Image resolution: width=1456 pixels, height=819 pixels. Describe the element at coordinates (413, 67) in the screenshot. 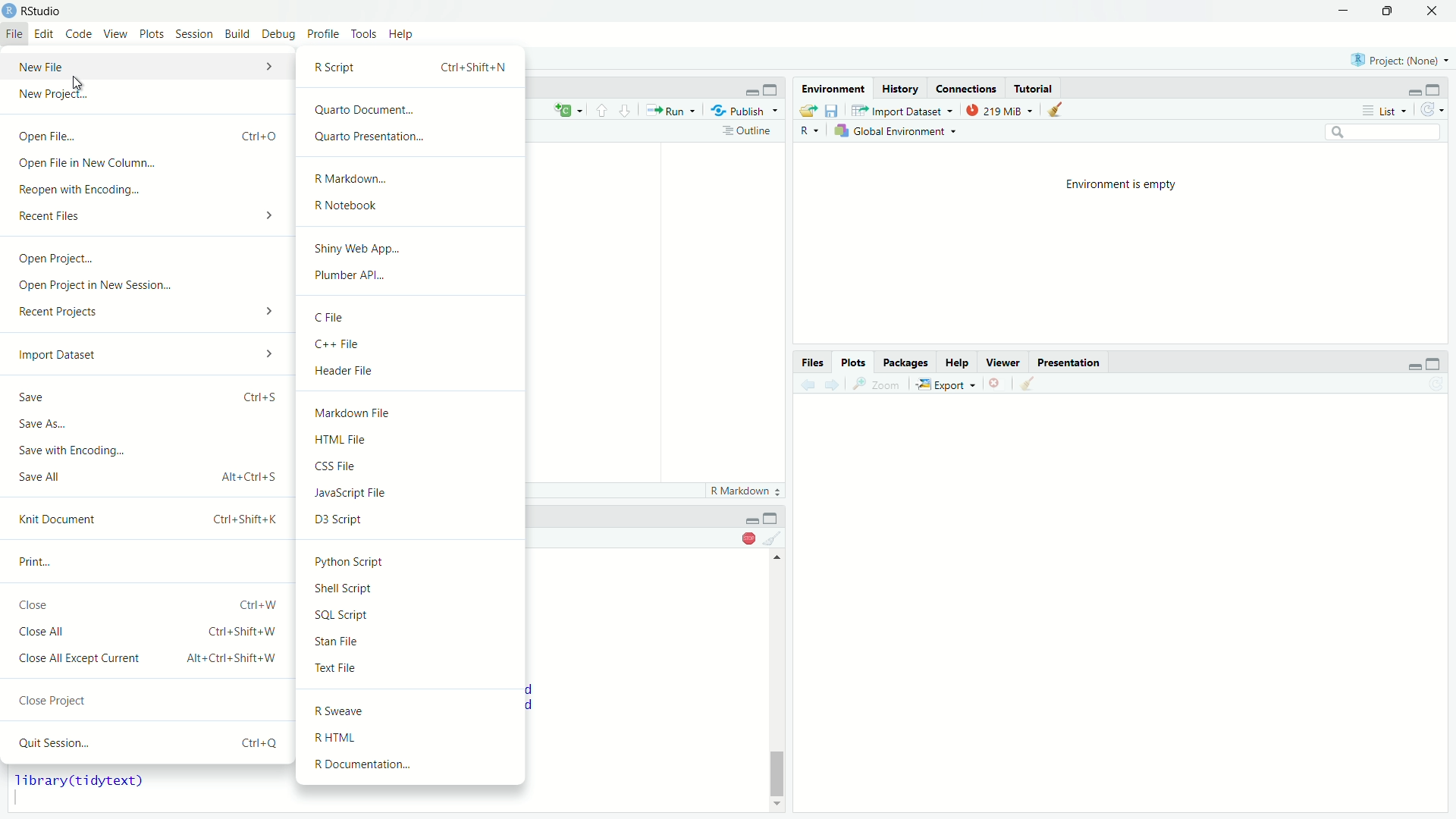

I see `R Script` at that location.